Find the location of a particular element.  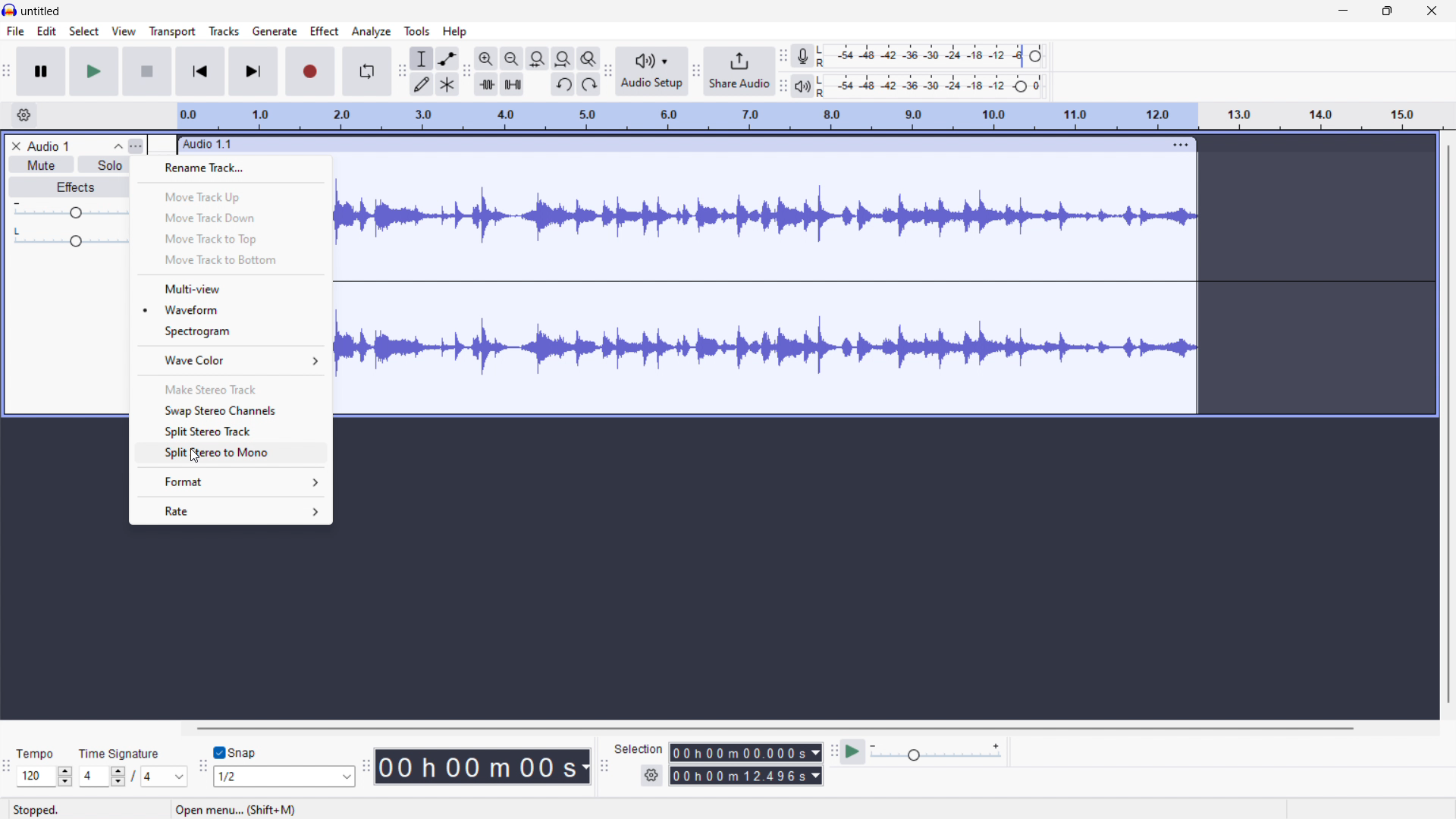

Audio is located at coordinates (49, 146).